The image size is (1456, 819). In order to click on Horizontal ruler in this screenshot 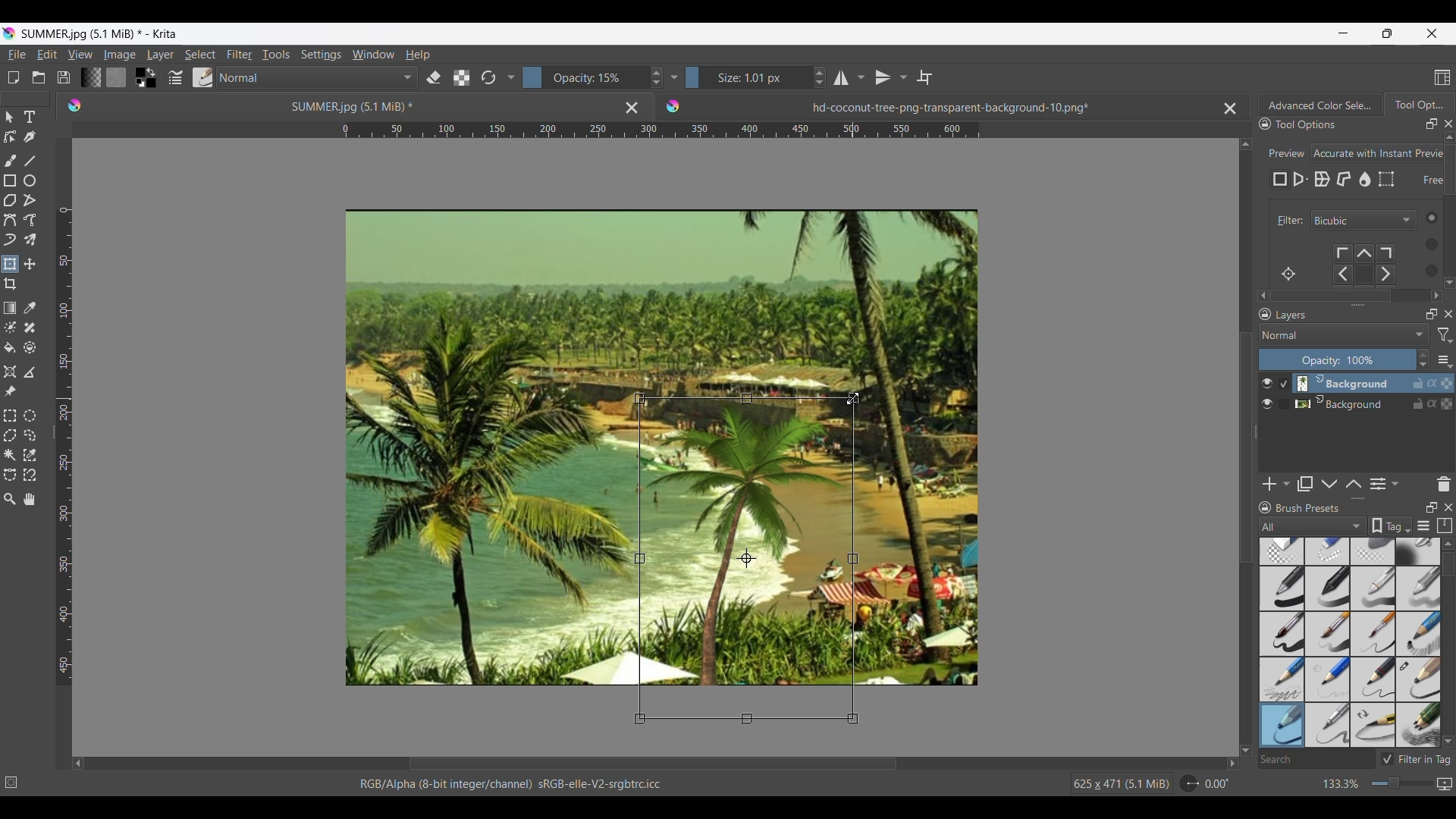, I will do `click(661, 132)`.